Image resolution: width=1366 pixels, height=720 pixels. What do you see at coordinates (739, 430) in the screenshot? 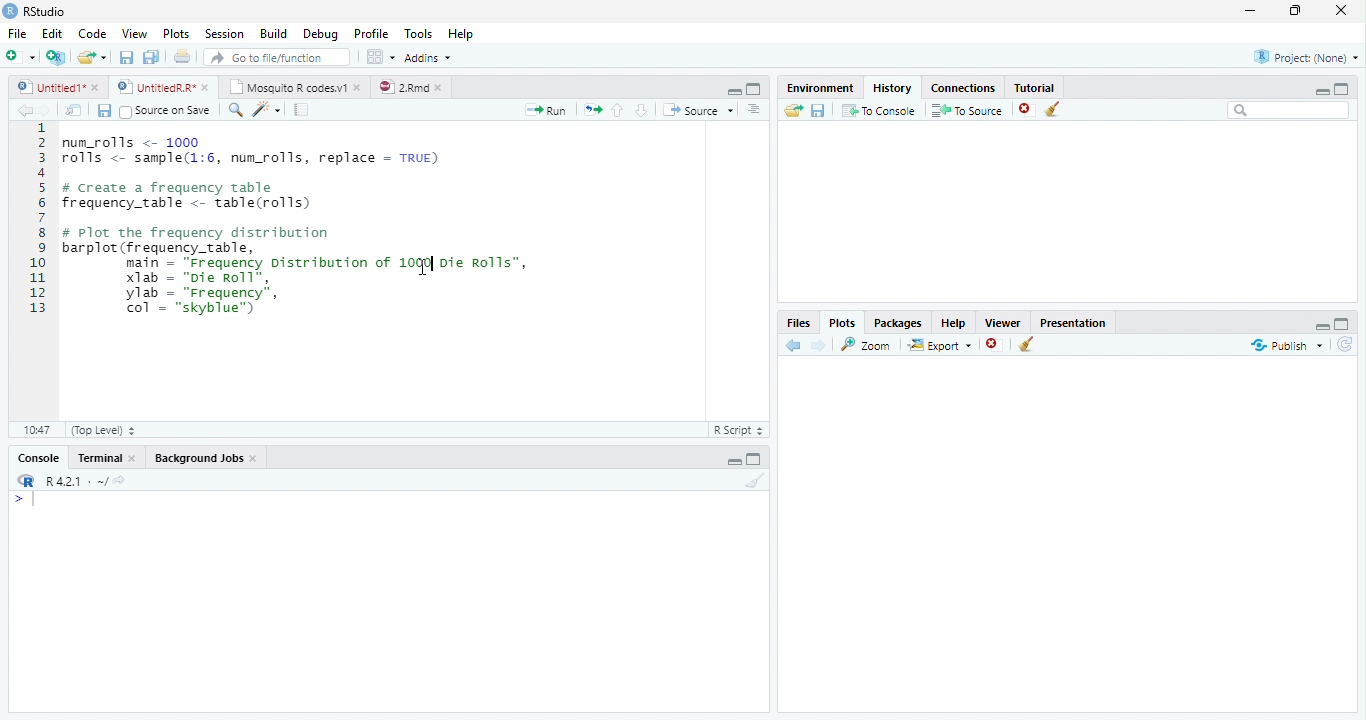
I see `R Script` at bounding box center [739, 430].